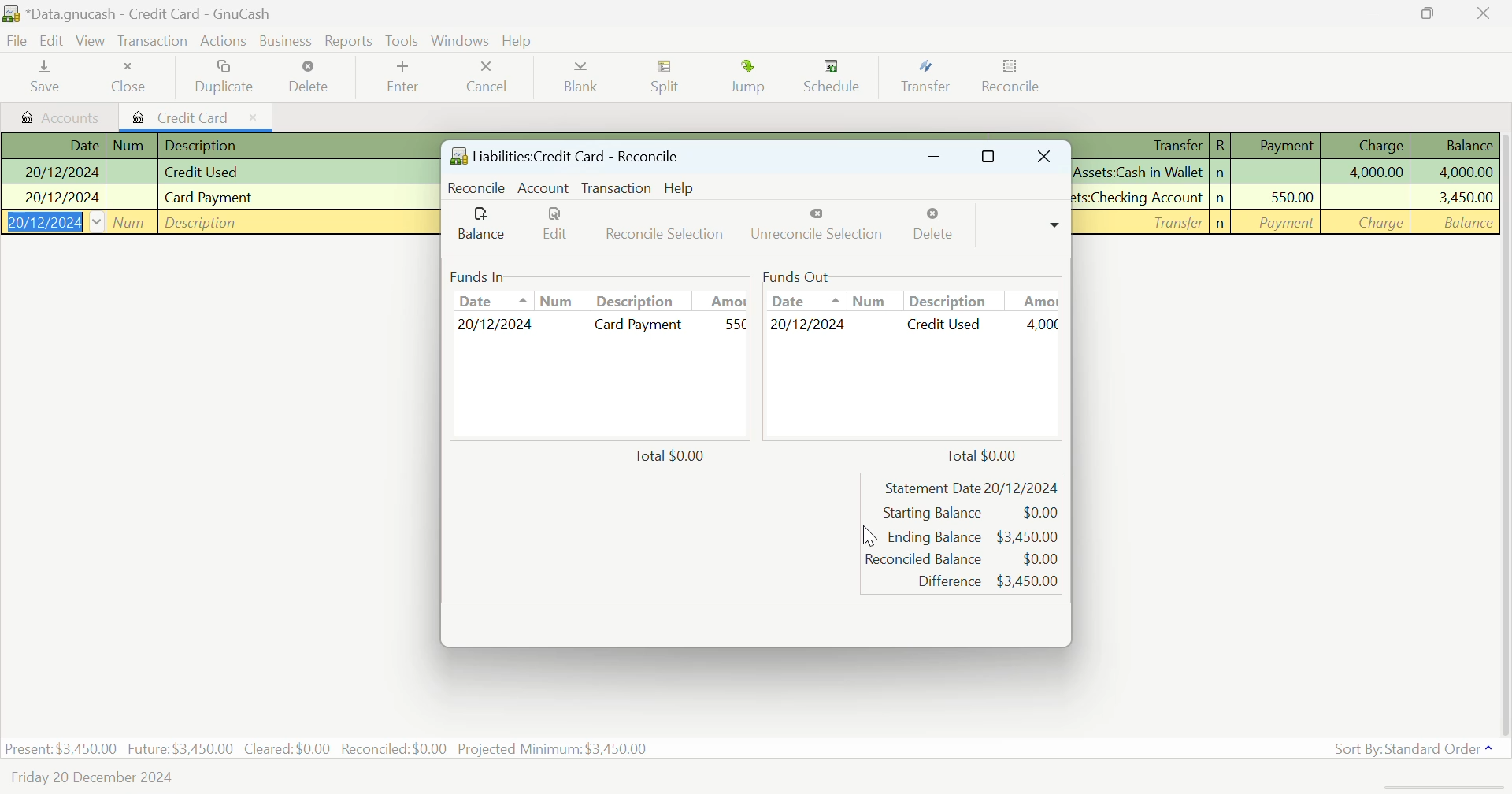 This screenshot has height=794, width=1512. What do you see at coordinates (565, 157) in the screenshot?
I see `Liabilities: Credit Card` at bounding box center [565, 157].